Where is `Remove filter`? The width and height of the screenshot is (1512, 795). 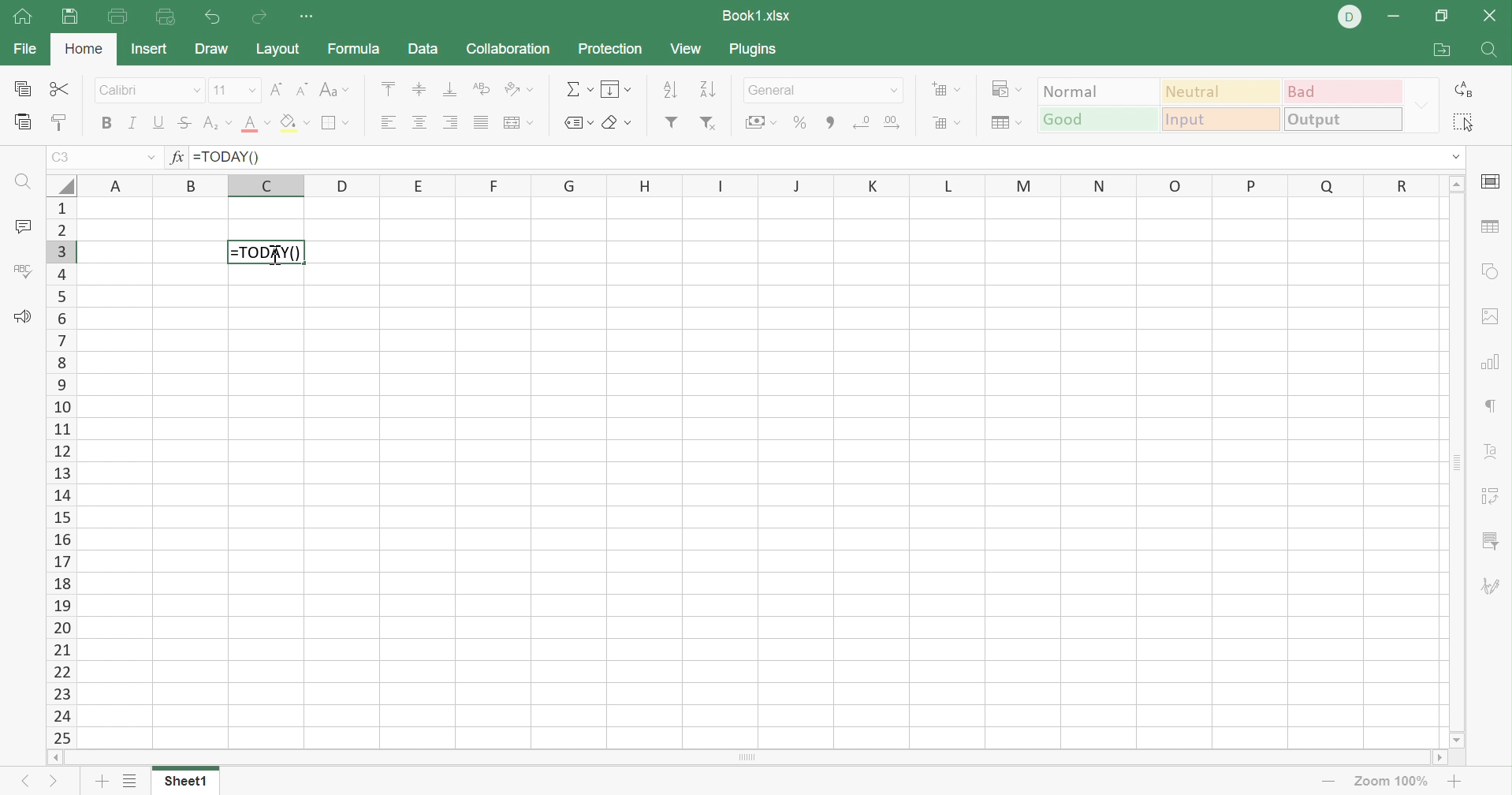 Remove filter is located at coordinates (710, 122).